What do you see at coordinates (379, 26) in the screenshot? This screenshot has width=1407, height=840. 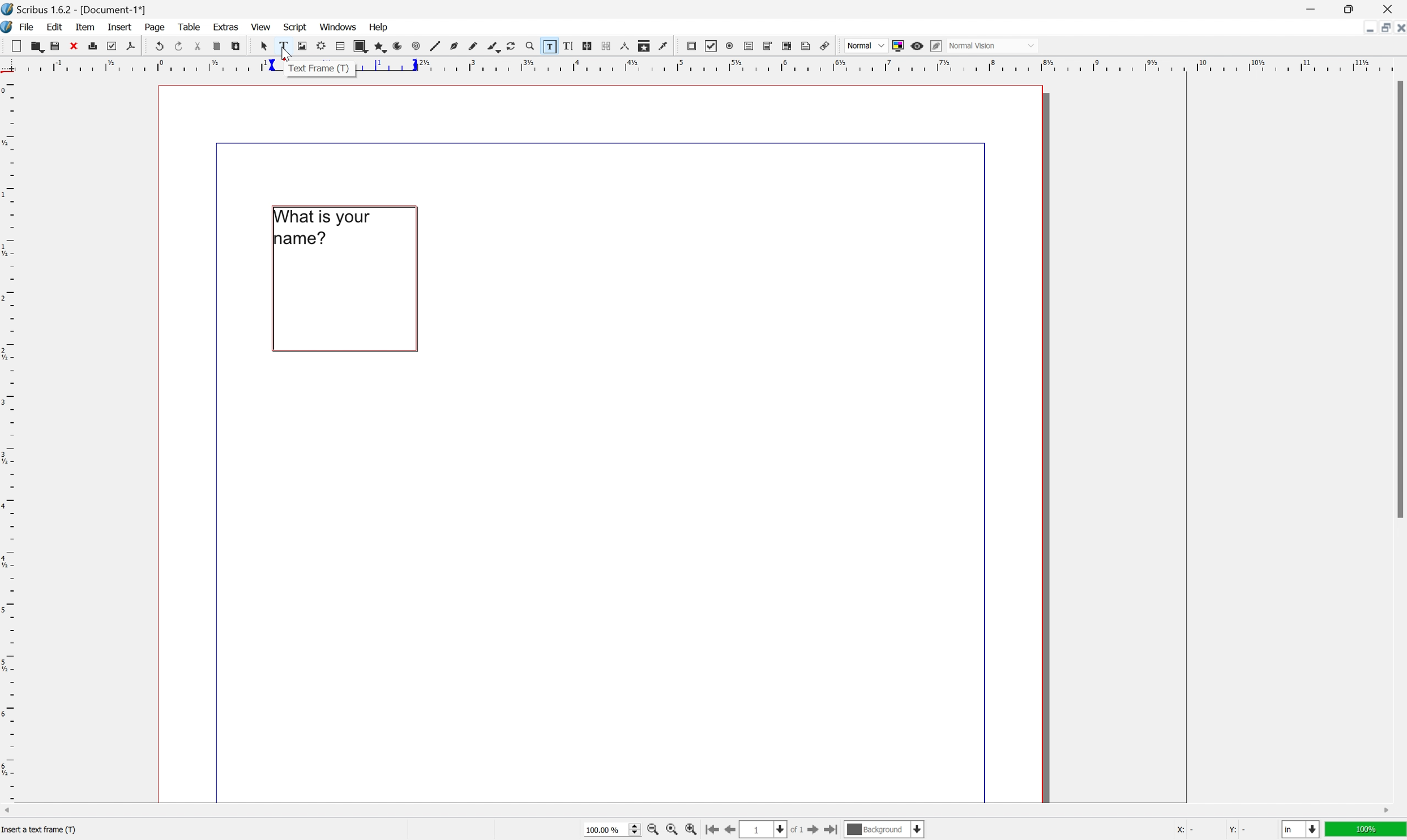 I see `help` at bounding box center [379, 26].